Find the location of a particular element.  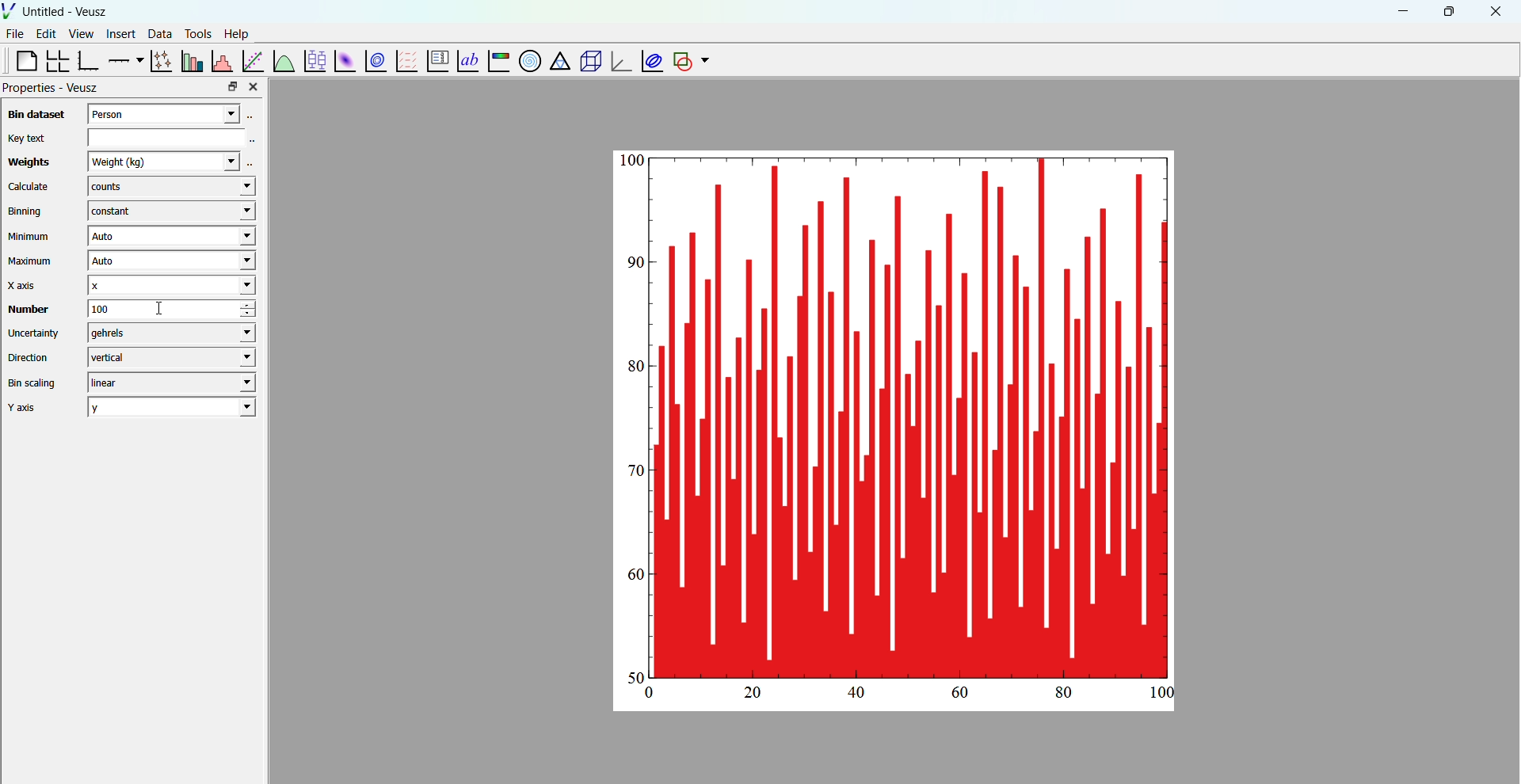

Histogram of a dataset is located at coordinates (221, 59).